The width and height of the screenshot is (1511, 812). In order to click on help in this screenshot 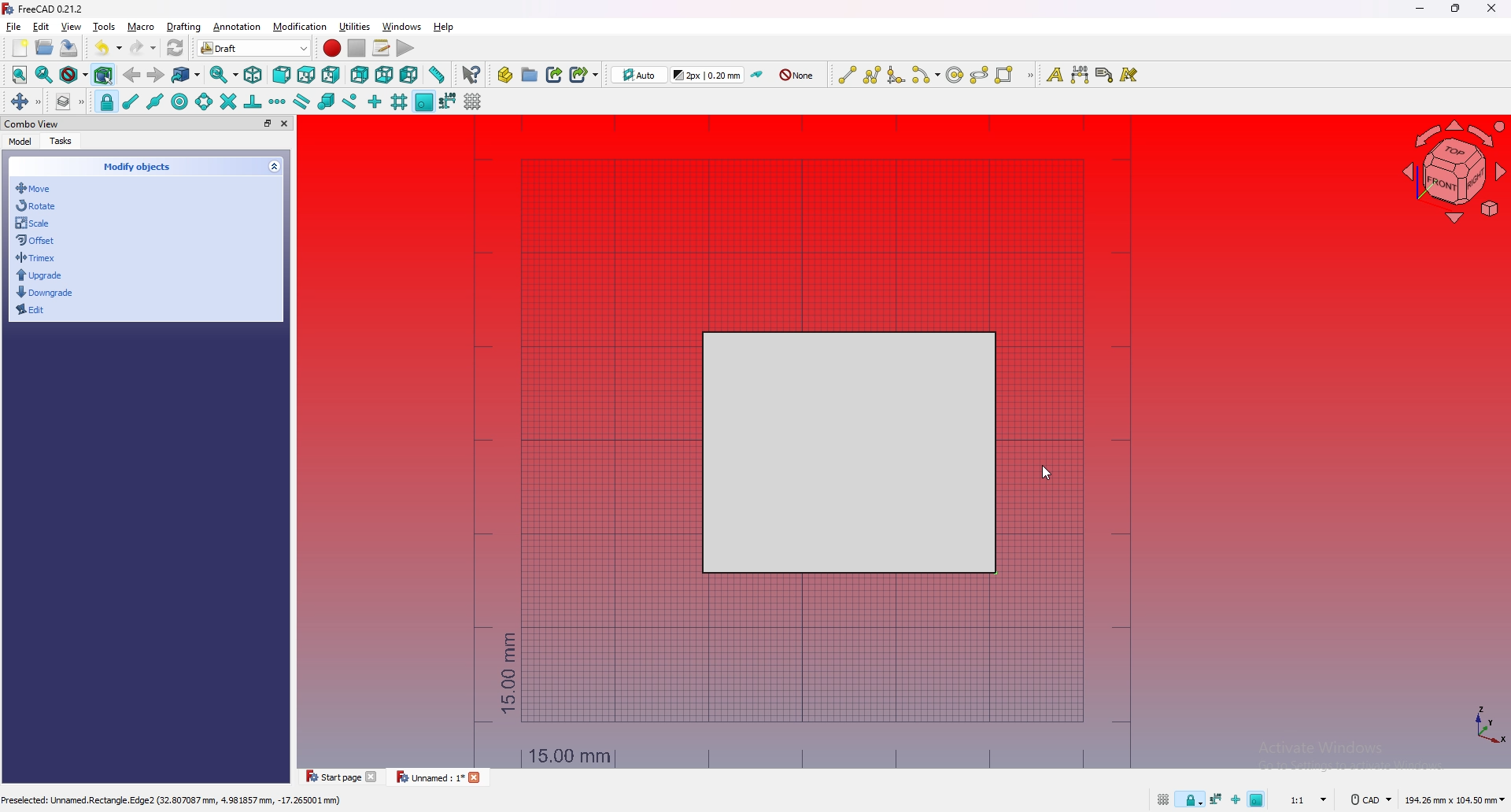, I will do `click(443, 27)`.